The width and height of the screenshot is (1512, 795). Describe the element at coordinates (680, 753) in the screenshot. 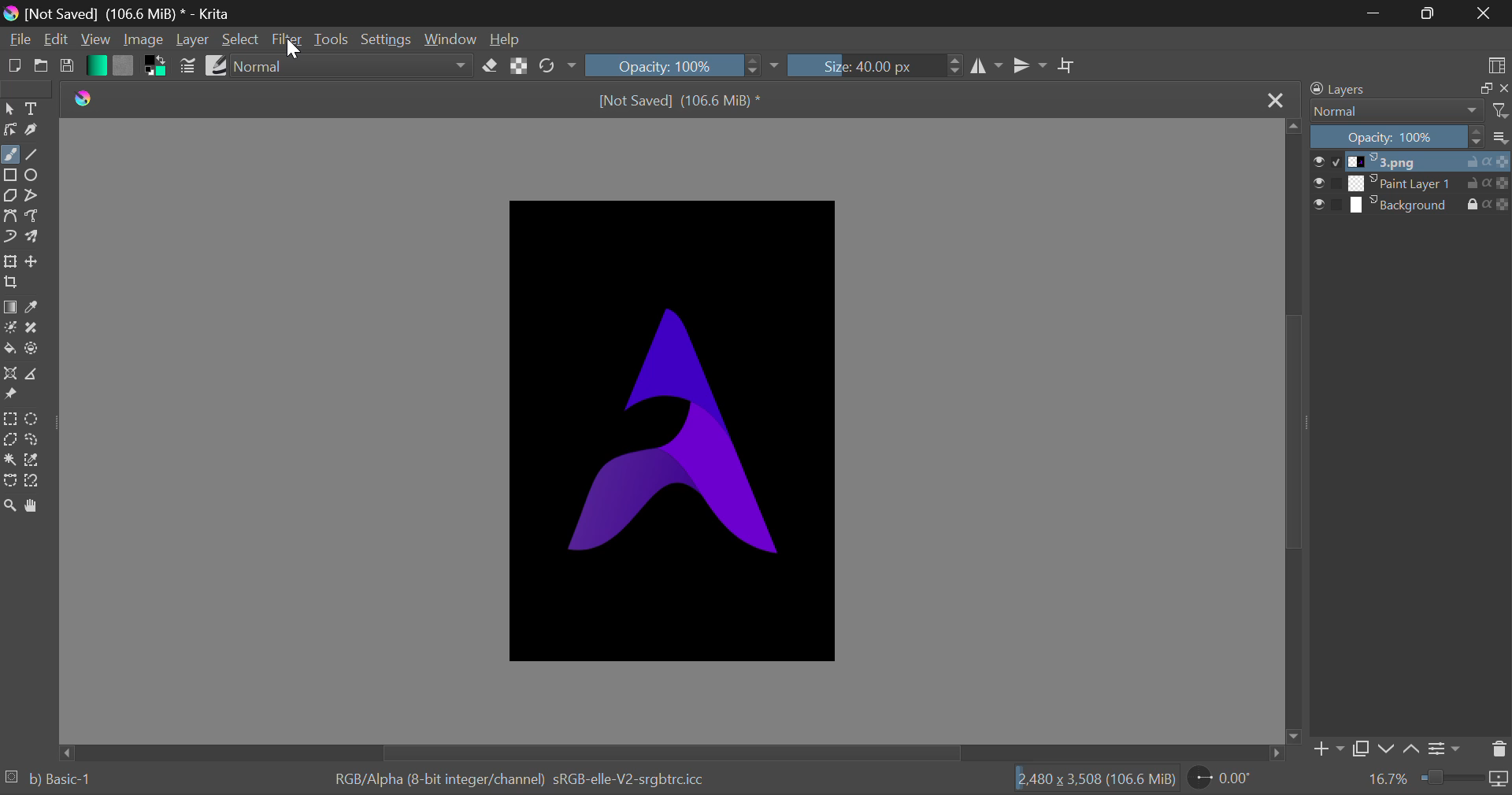

I see `Scroll Bar` at that location.